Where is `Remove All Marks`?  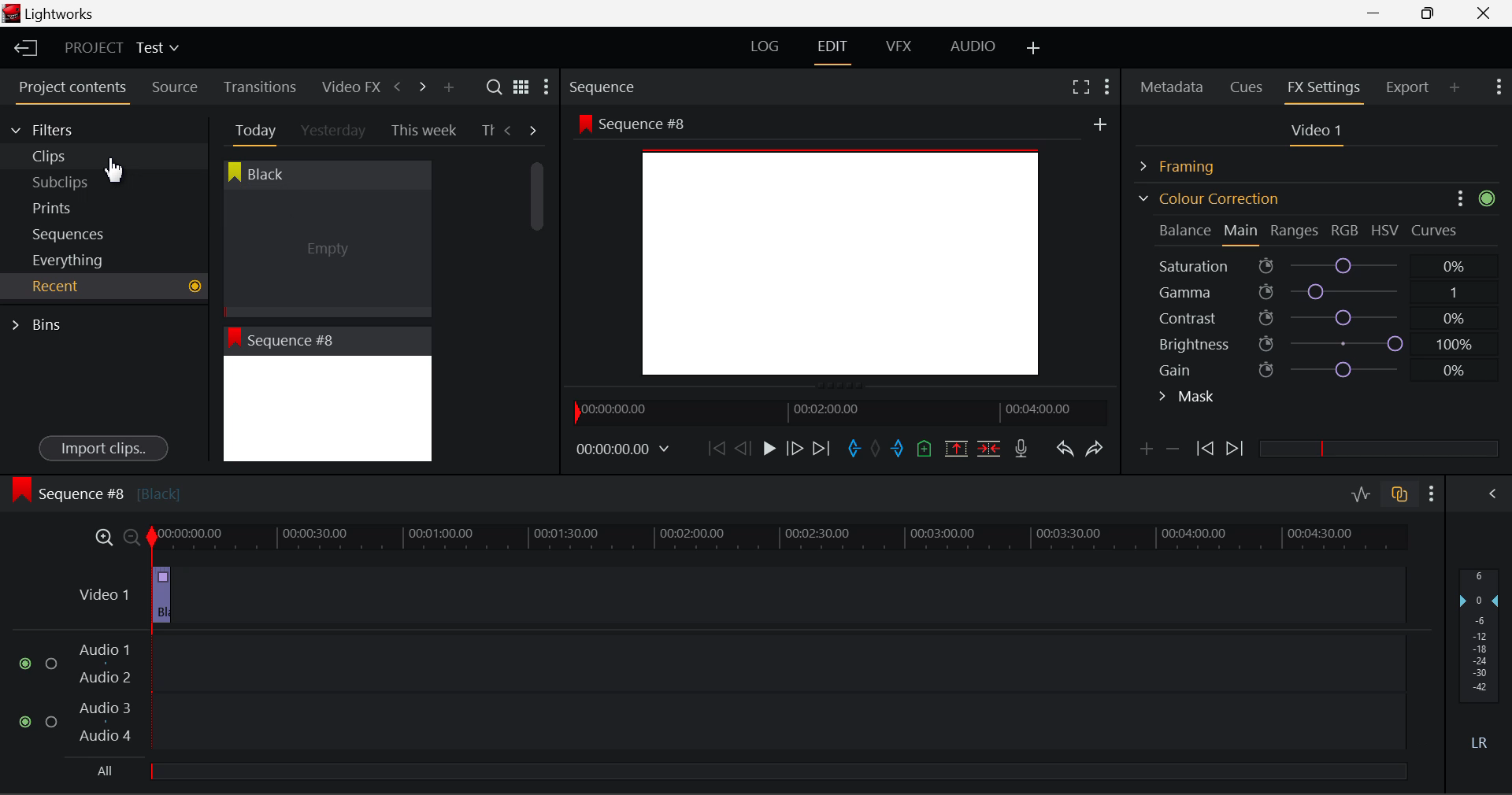
Remove All Marks is located at coordinates (877, 450).